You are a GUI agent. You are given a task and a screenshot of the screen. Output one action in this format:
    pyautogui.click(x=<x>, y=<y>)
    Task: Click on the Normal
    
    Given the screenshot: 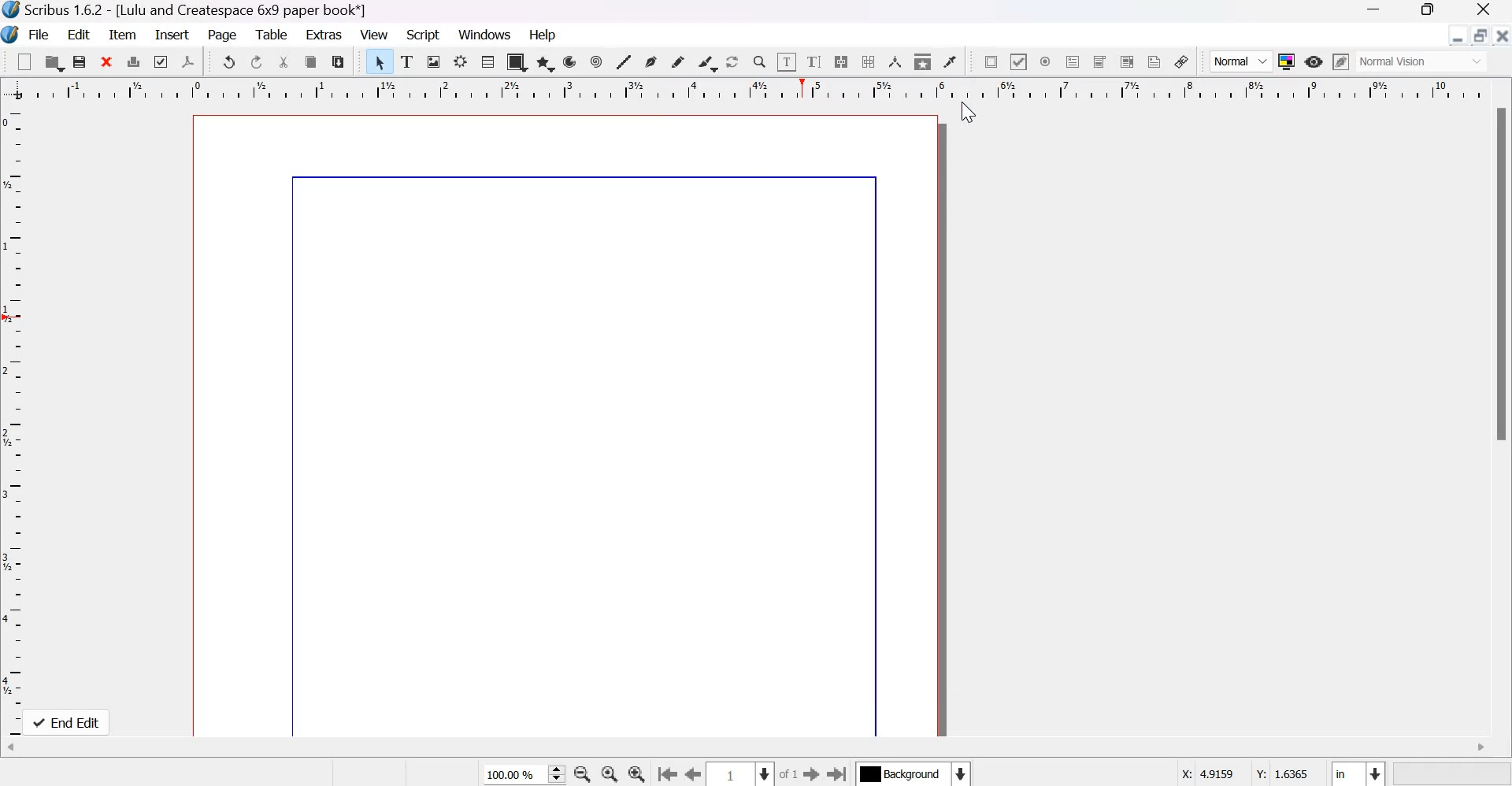 What is the action you would take?
    pyautogui.click(x=1242, y=62)
    